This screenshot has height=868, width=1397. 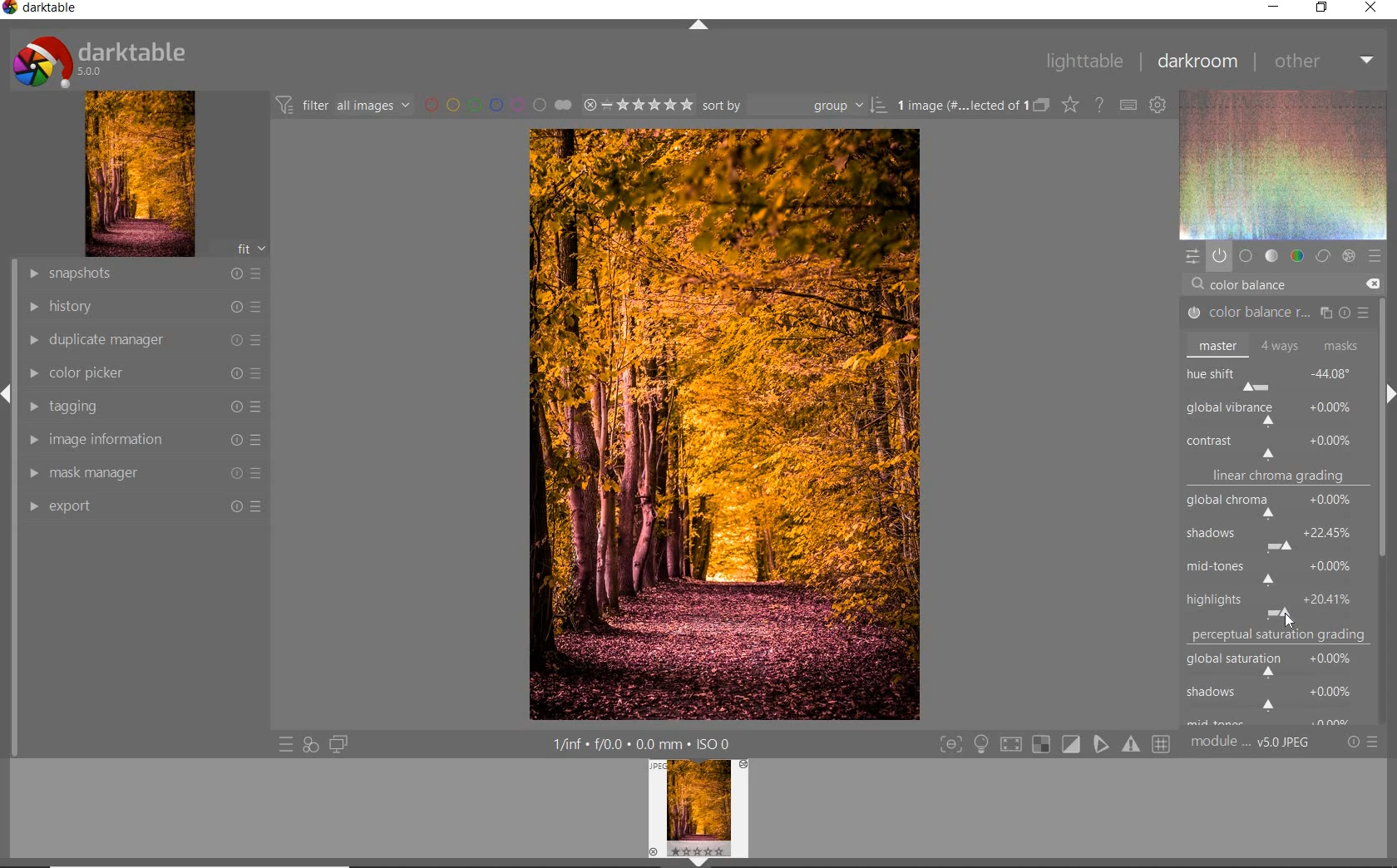 What do you see at coordinates (1278, 662) in the screenshot?
I see `global saturation` at bounding box center [1278, 662].